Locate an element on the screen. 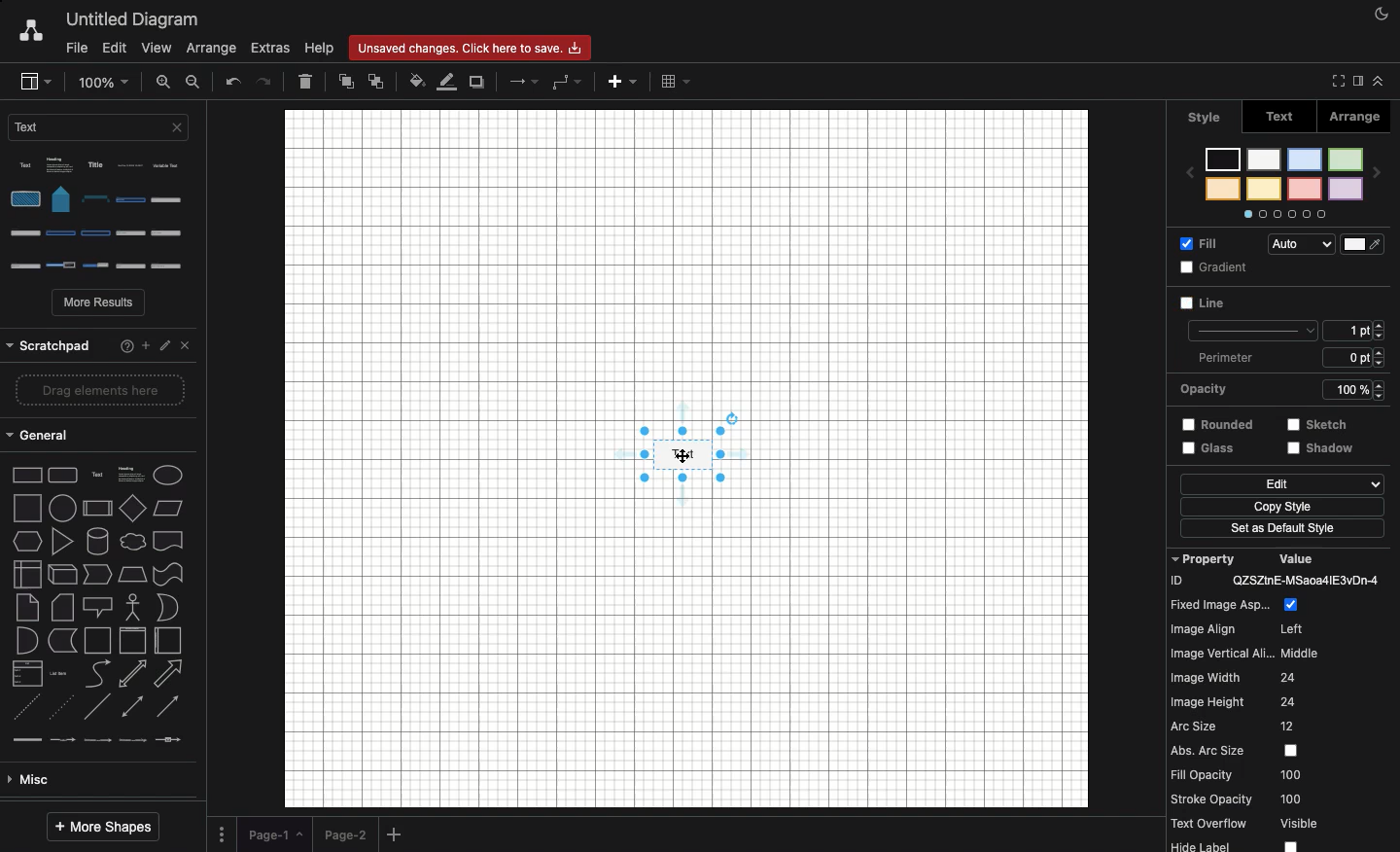  Draw.io is located at coordinates (30, 32).